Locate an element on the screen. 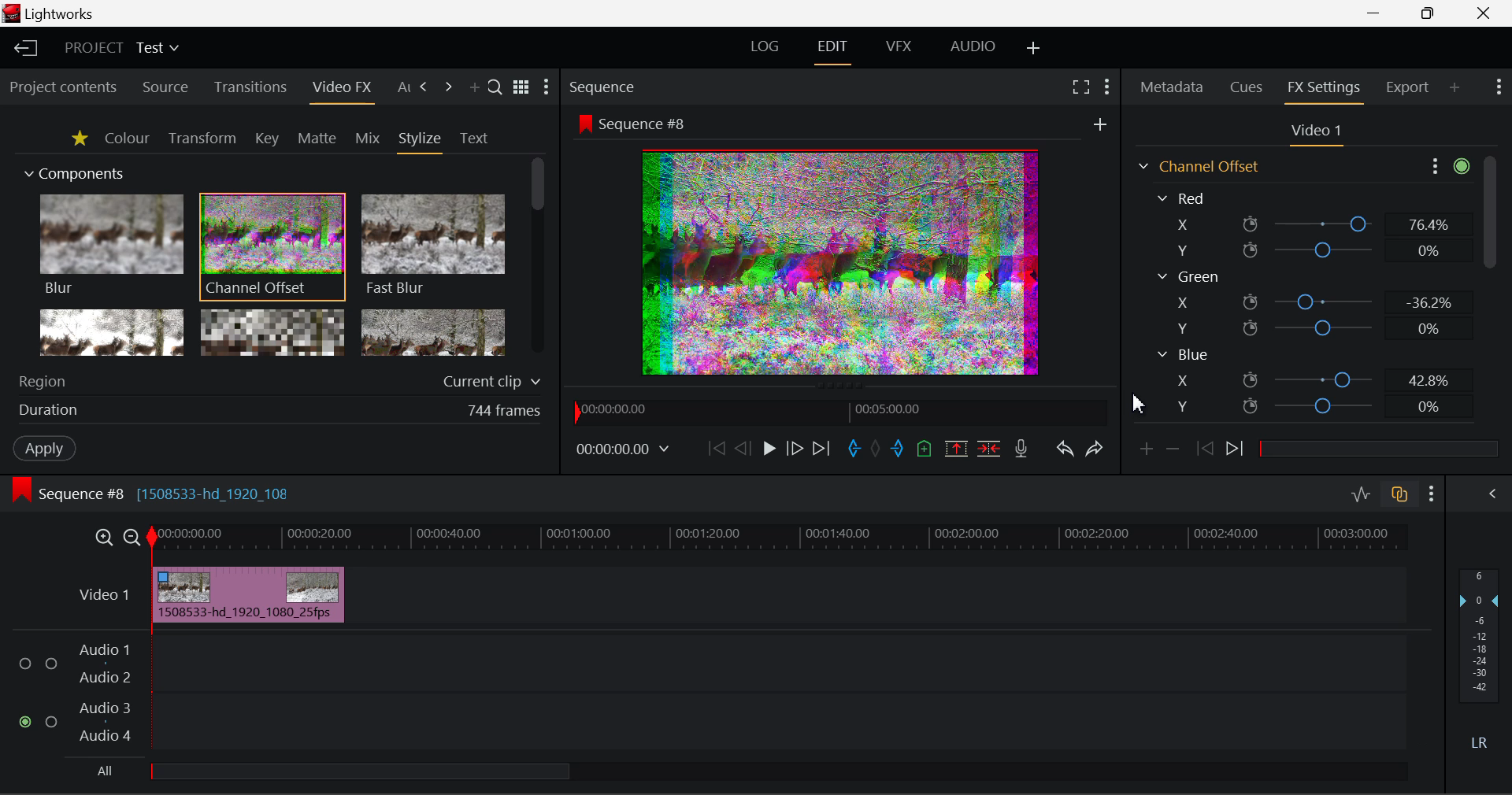  Toggle Audio Levels Editing is located at coordinates (1362, 495).